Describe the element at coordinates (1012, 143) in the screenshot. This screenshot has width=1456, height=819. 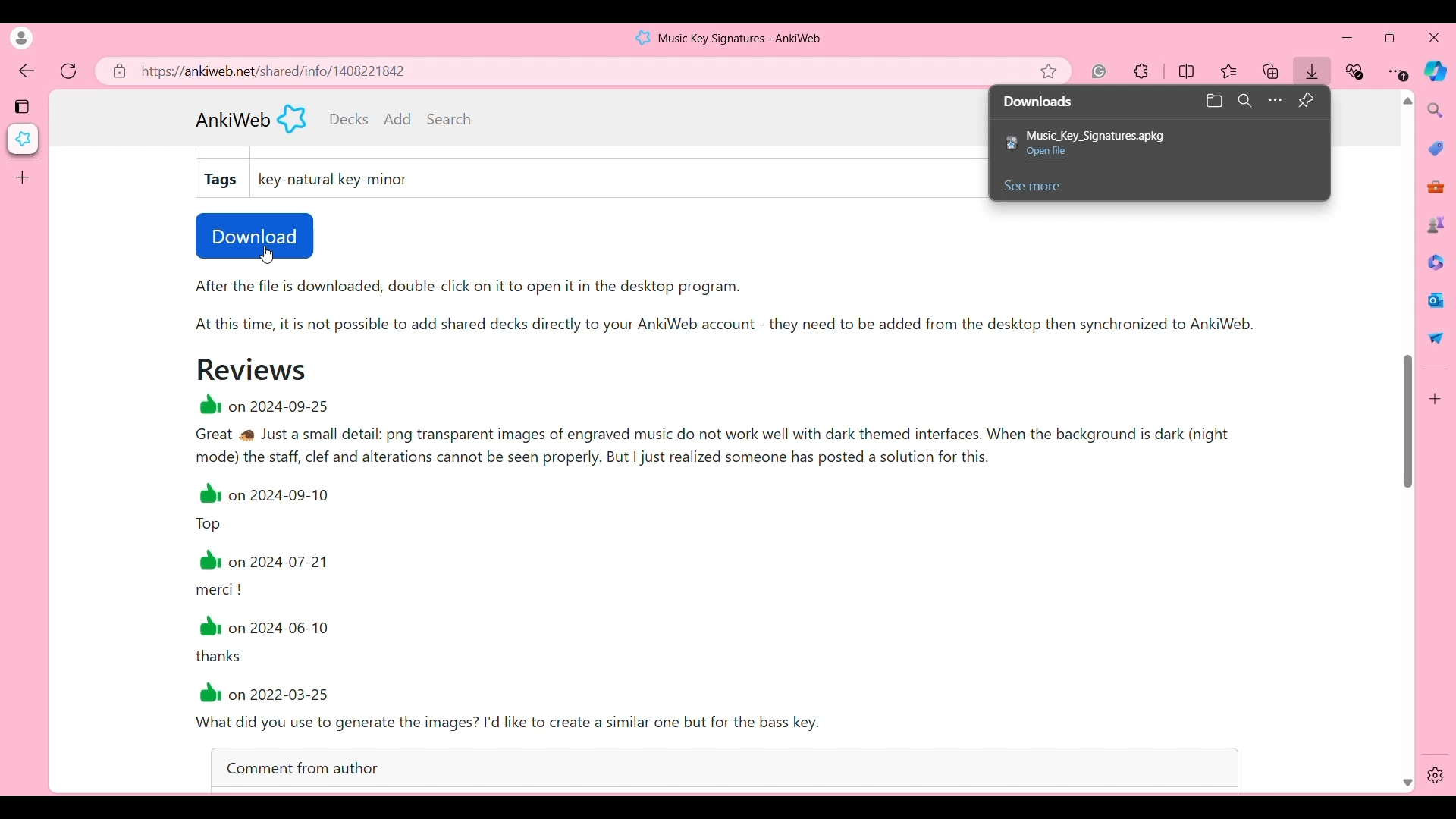
I see `Software logo of downloaded file` at that location.